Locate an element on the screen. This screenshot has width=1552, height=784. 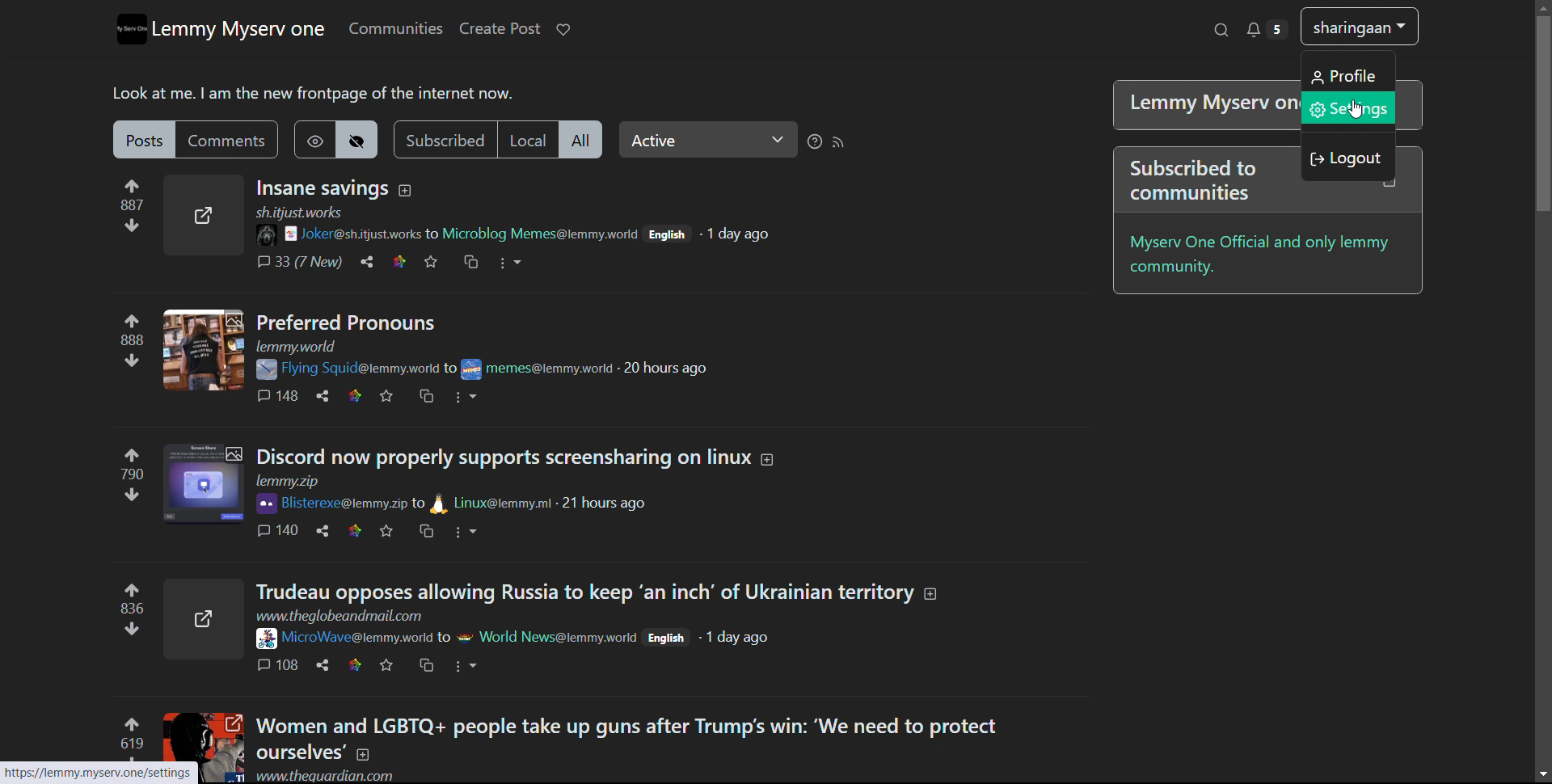
settings is located at coordinates (1349, 107).